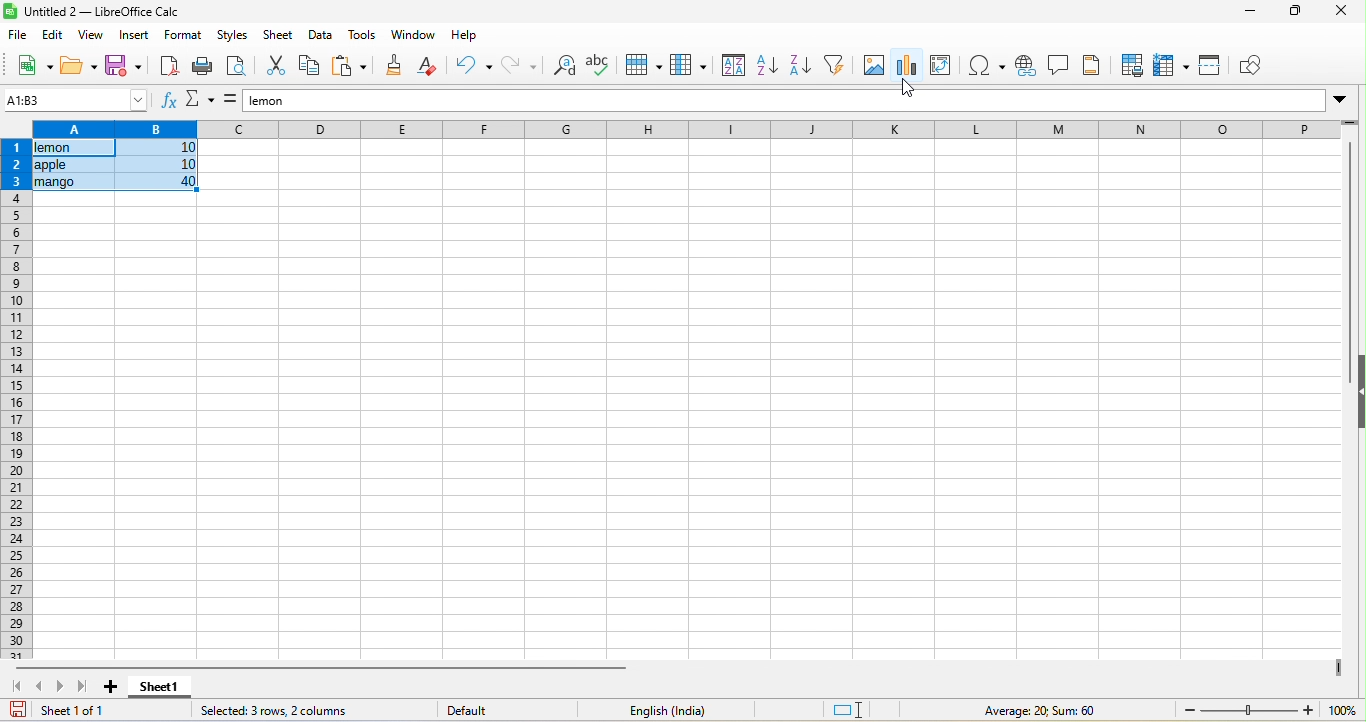  Describe the element at coordinates (121, 65) in the screenshot. I see `save` at that location.